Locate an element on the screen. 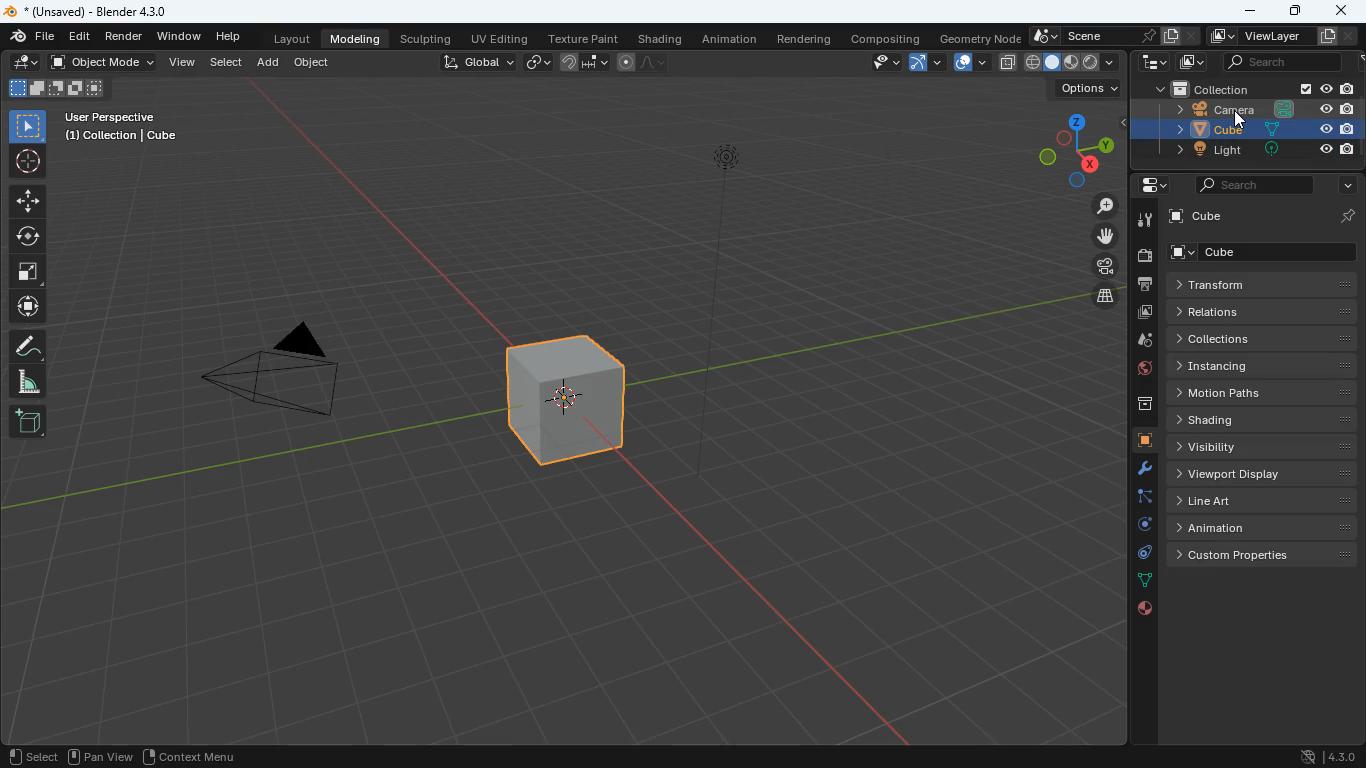 The height and width of the screenshot is (768, 1366). visibility is located at coordinates (1264, 447).